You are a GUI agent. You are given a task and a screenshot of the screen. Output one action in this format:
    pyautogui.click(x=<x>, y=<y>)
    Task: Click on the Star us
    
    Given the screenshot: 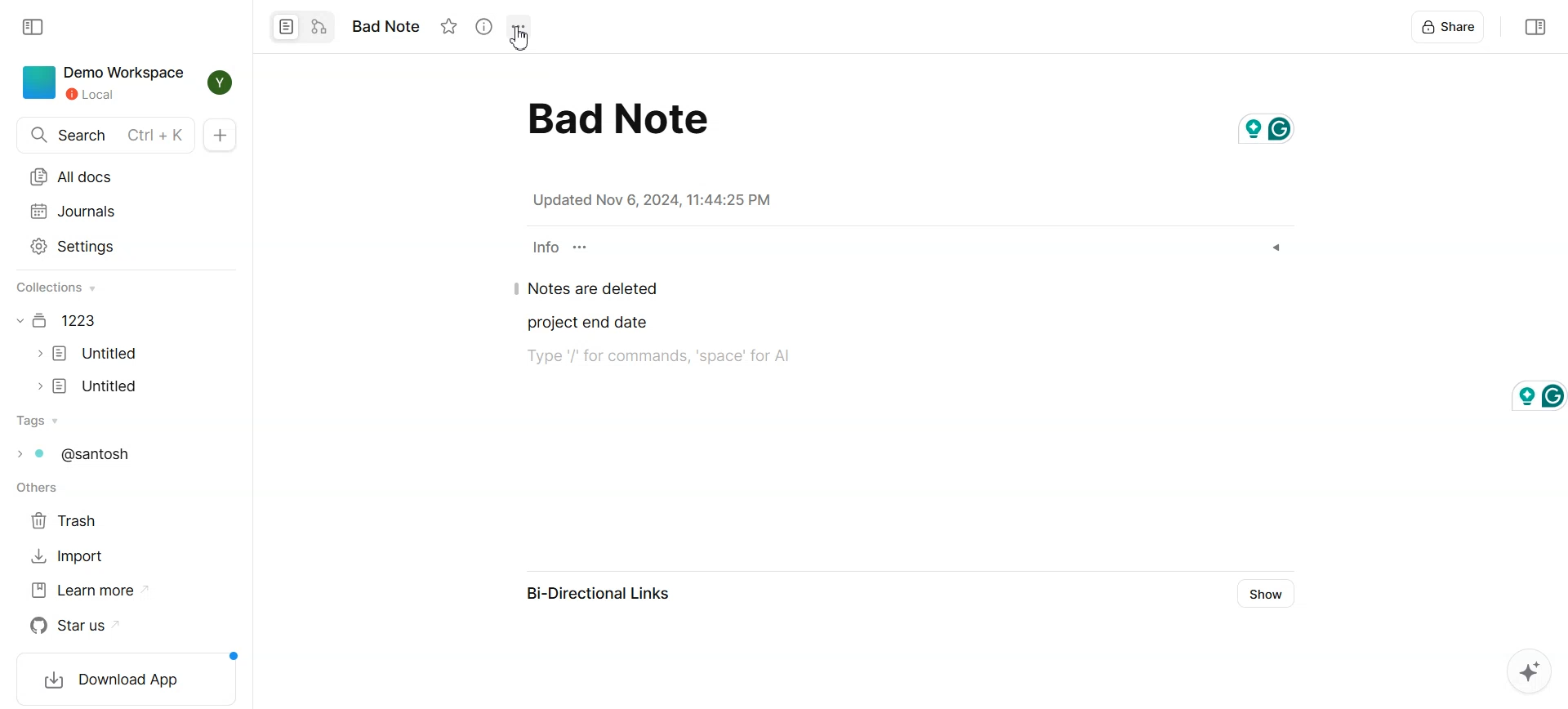 What is the action you would take?
    pyautogui.click(x=75, y=626)
    